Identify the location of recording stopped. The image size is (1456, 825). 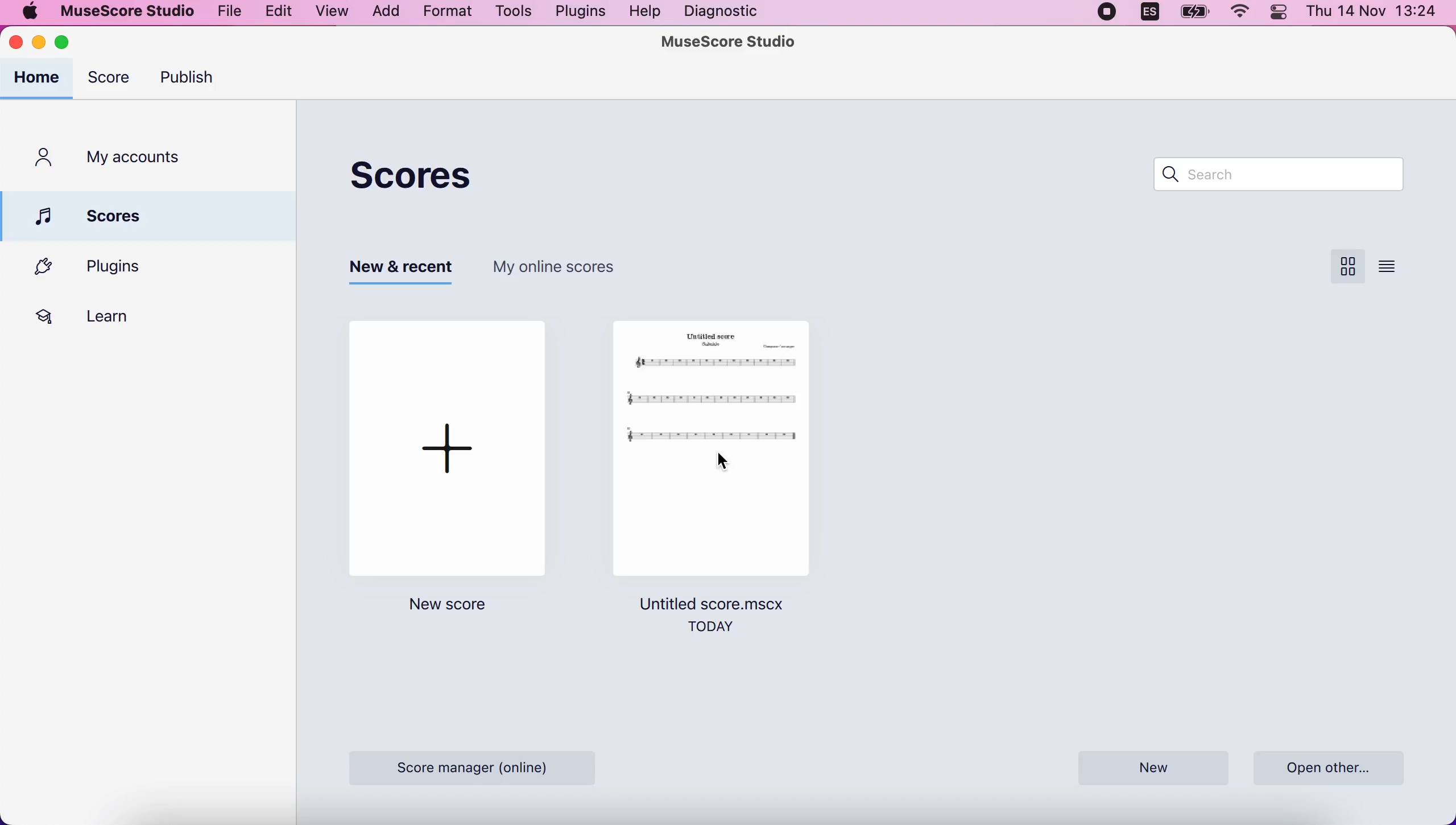
(1103, 14).